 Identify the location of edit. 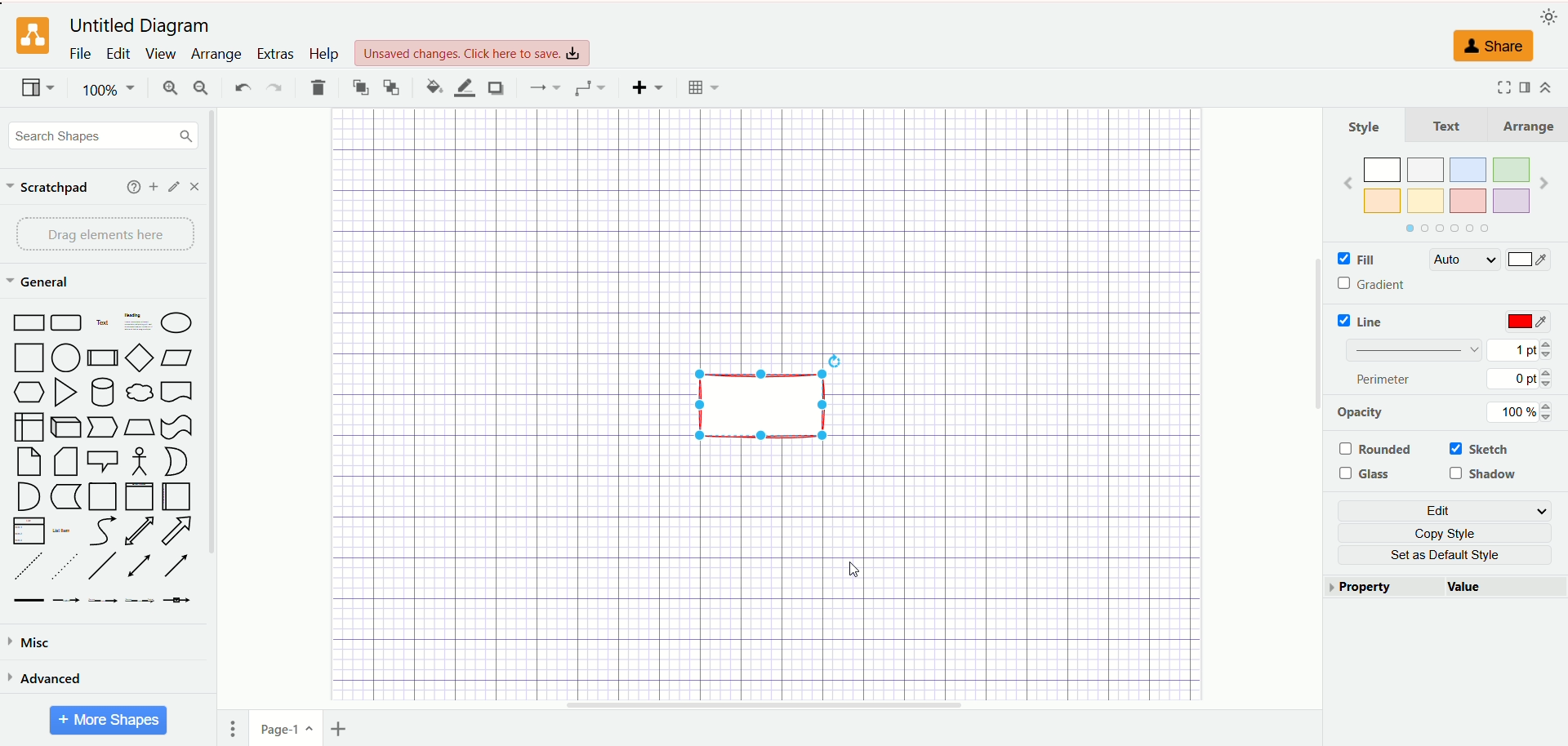
(1444, 509).